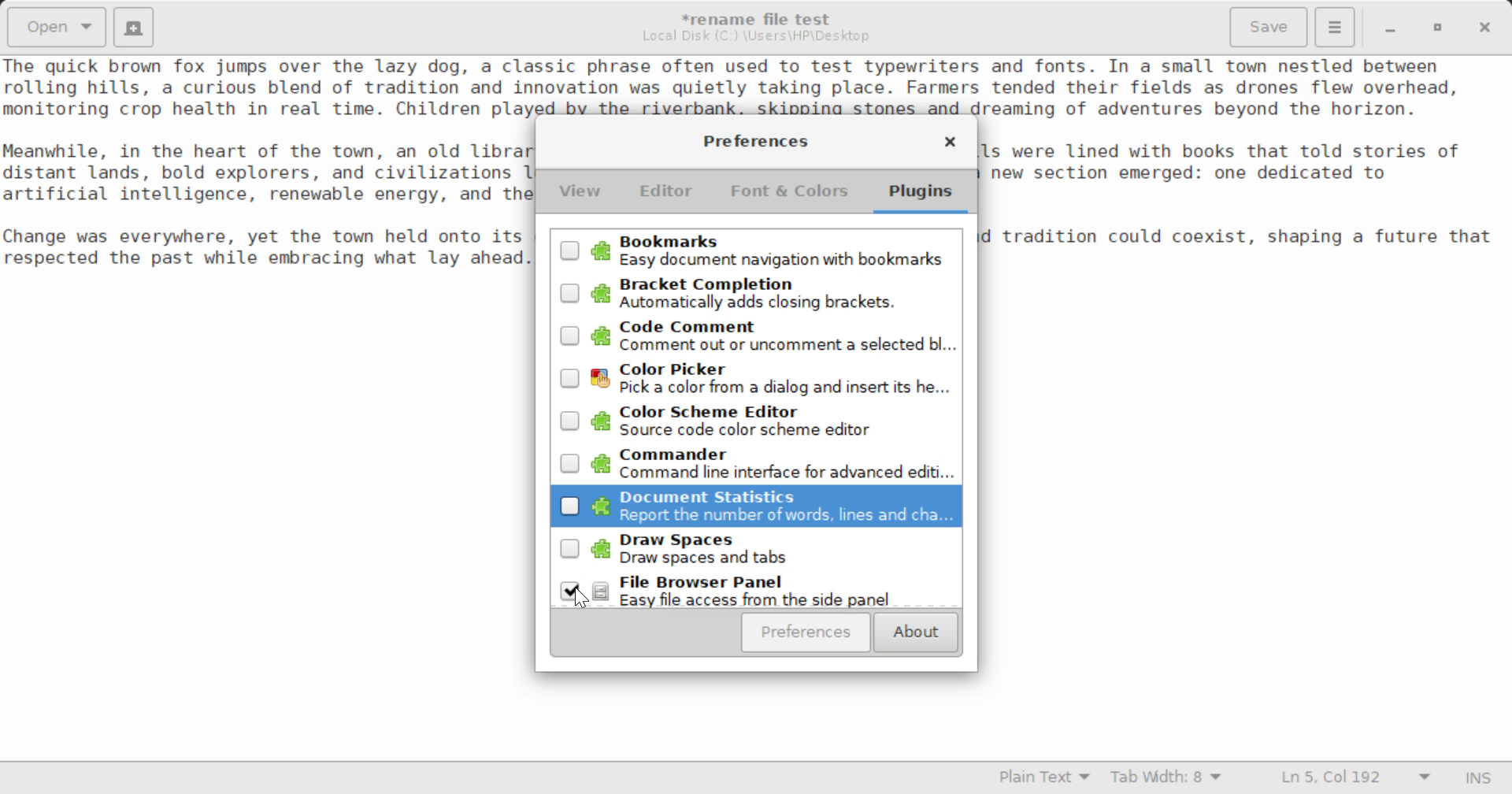  I want to click on Unselected Color Picker Plugin, so click(758, 380).